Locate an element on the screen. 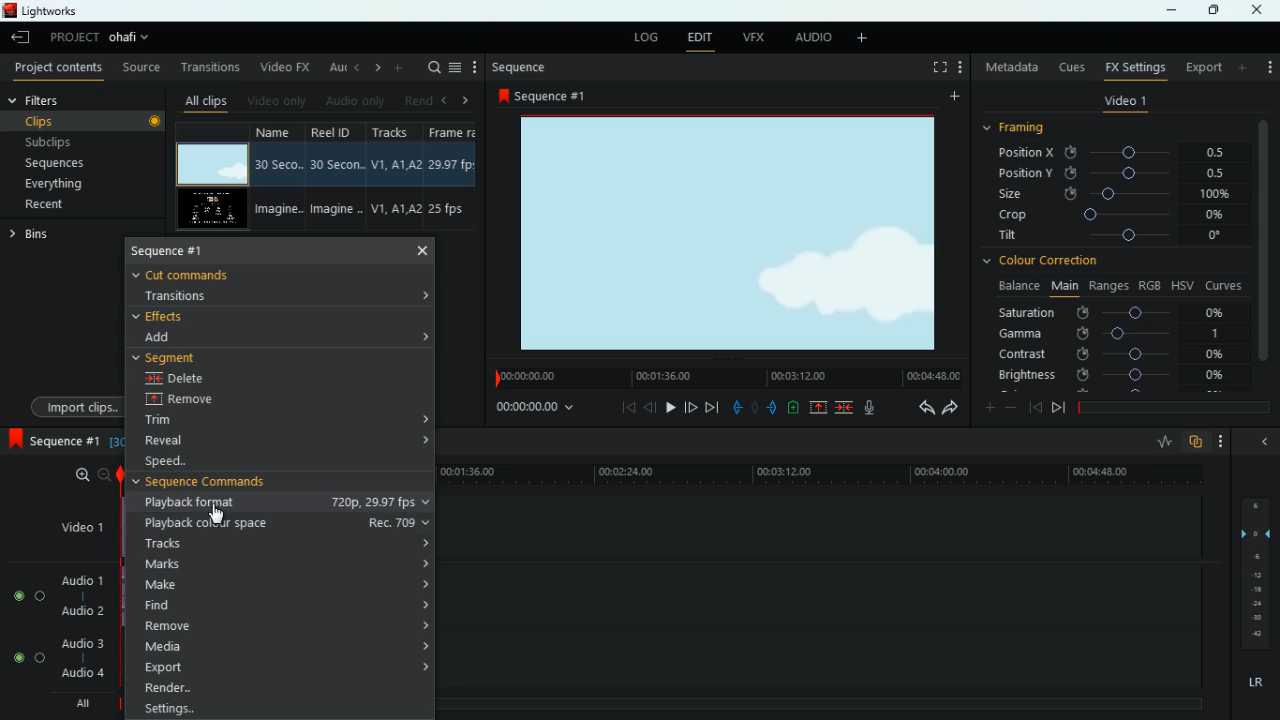  add is located at coordinates (953, 95).